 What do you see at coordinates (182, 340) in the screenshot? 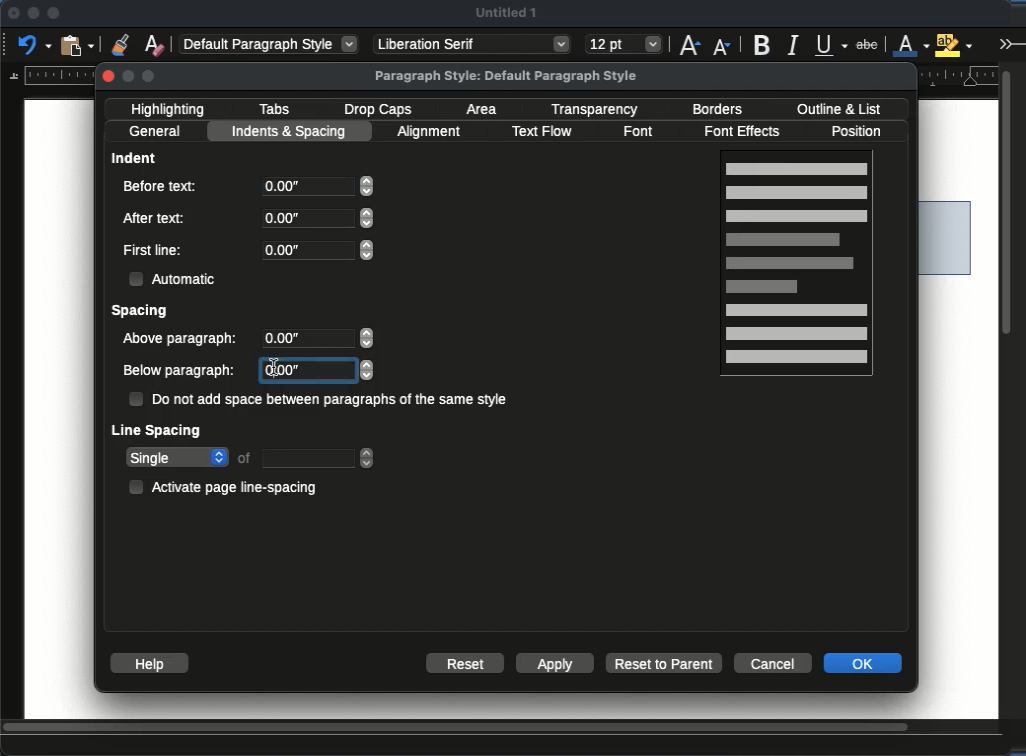
I see `above paragraph` at bounding box center [182, 340].